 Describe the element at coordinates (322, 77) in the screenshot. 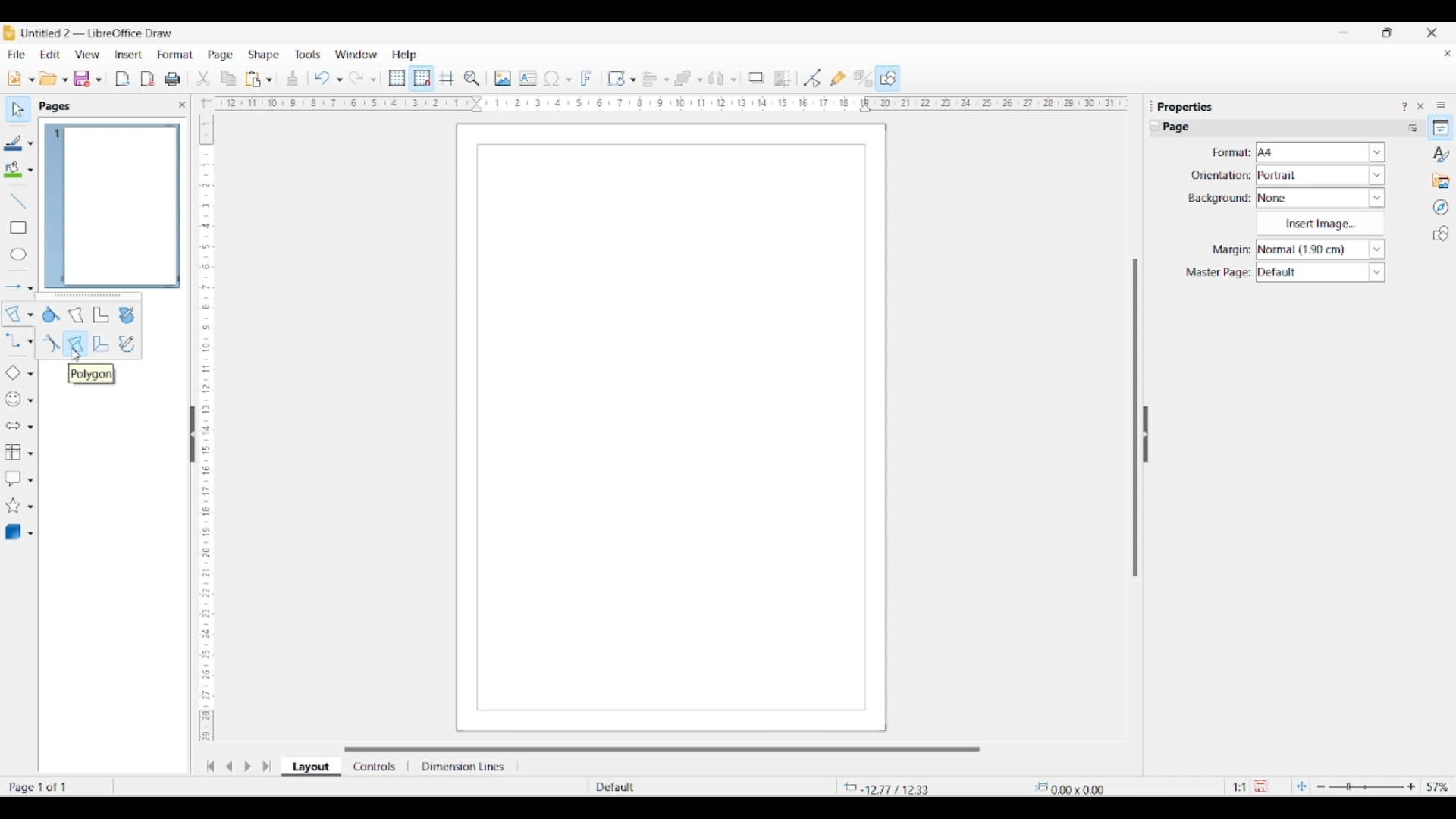

I see `Undo last action done` at that location.